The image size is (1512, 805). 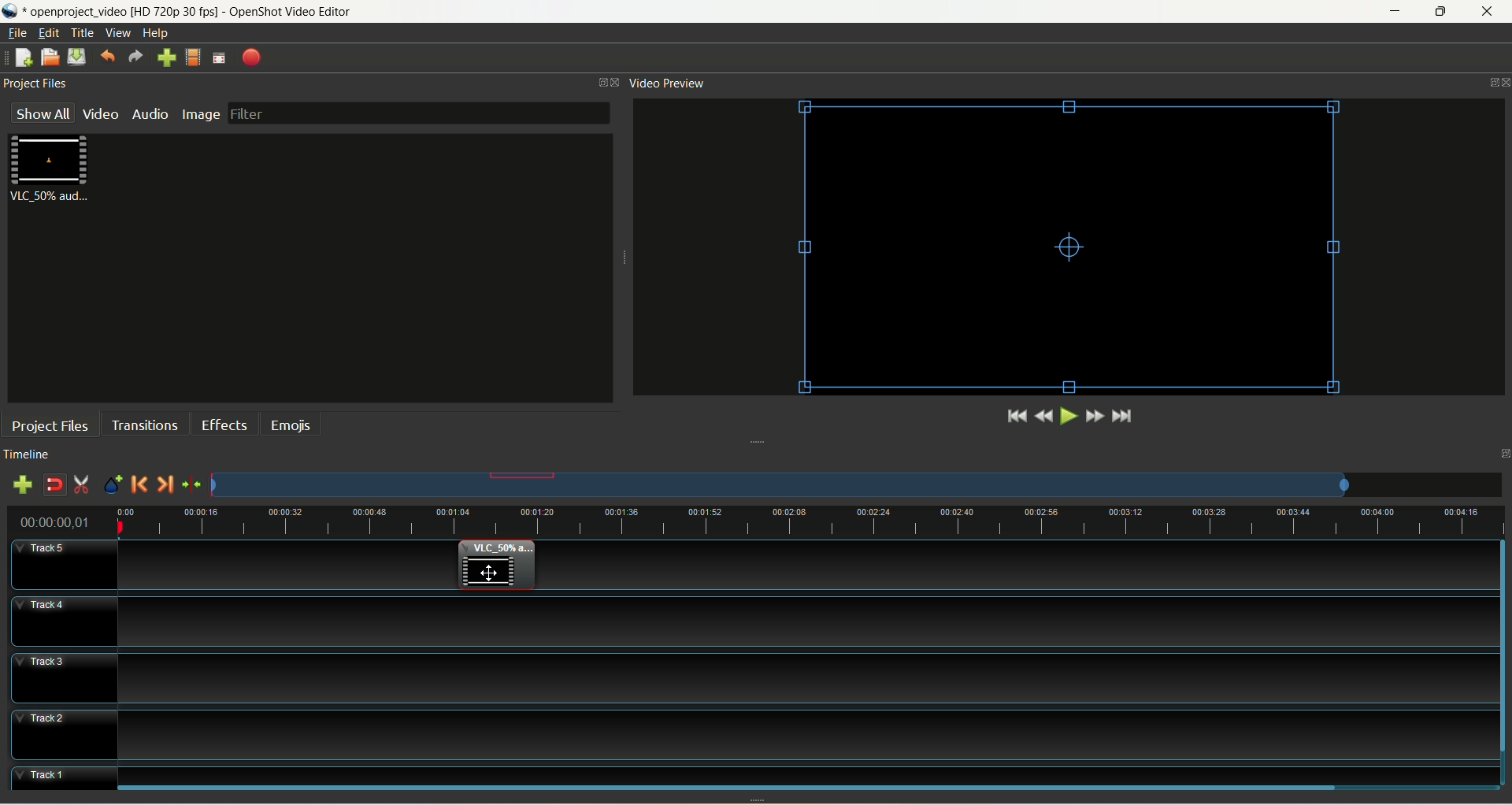 I want to click on next marker, so click(x=164, y=485).